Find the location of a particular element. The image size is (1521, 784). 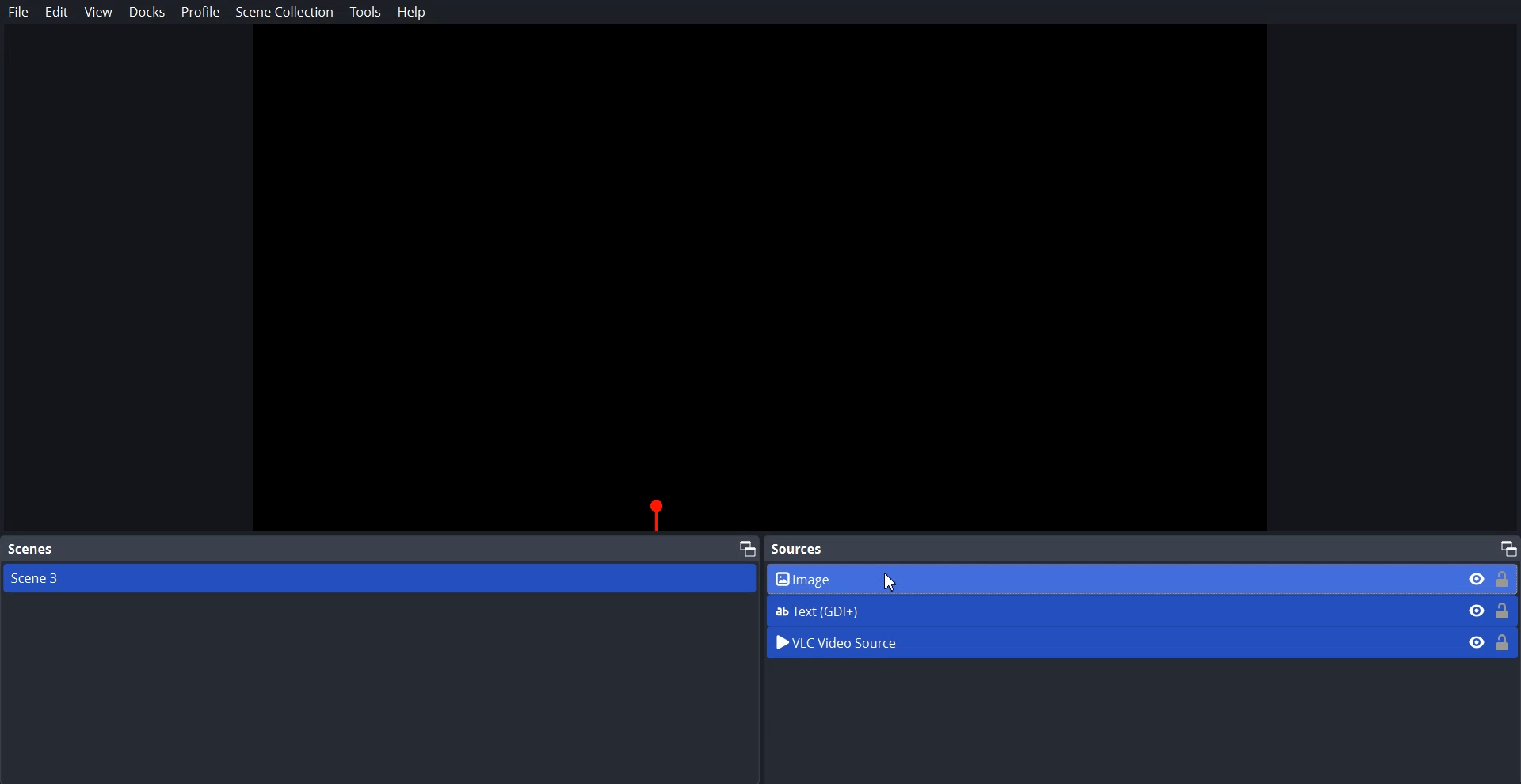

View is located at coordinates (98, 13).